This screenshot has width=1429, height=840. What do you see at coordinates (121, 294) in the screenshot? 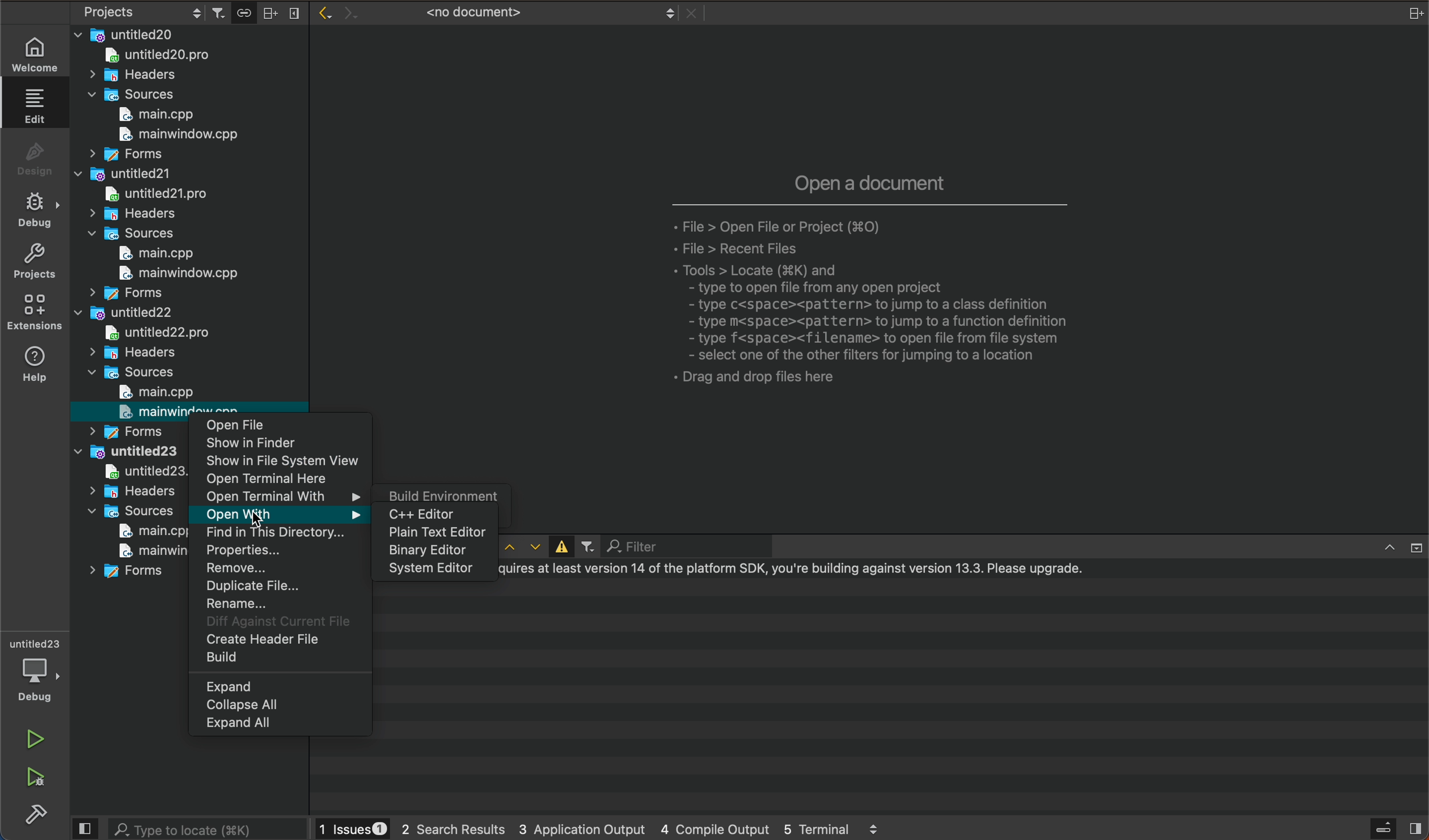
I see `forms` at bounding box center [121, 294].